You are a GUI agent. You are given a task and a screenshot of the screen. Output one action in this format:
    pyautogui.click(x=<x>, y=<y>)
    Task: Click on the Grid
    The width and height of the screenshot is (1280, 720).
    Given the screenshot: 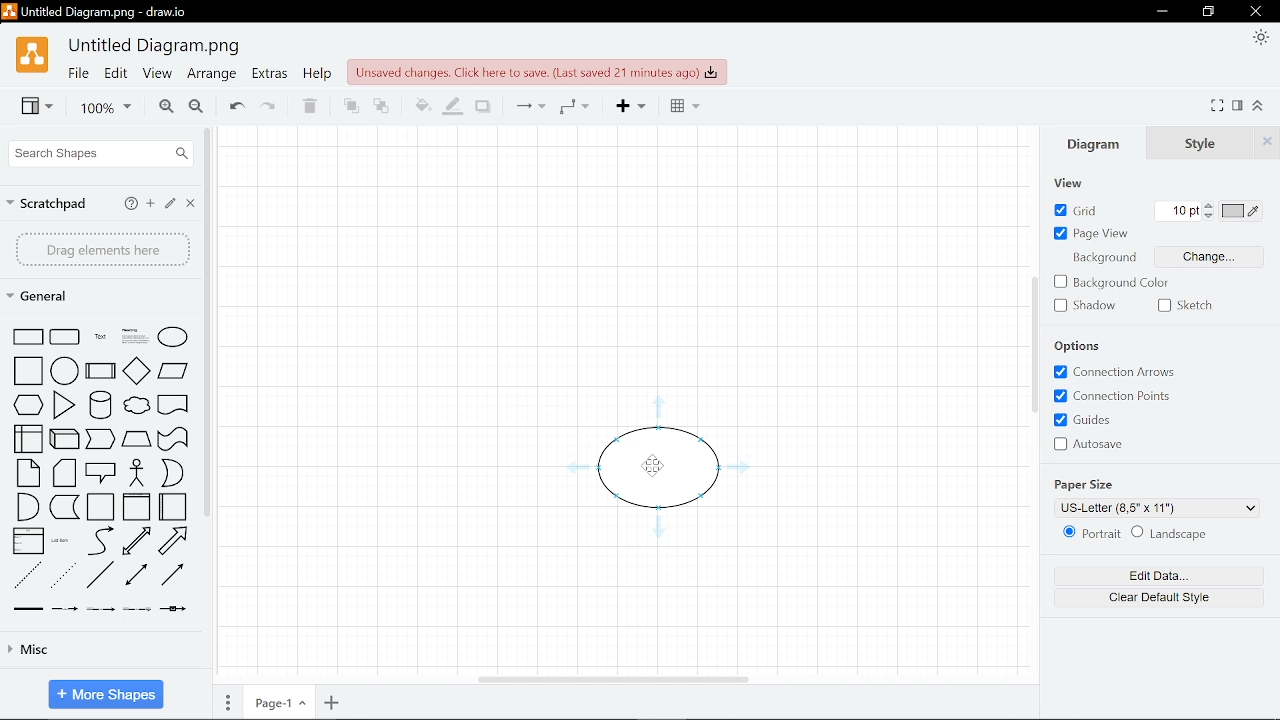 What is the action you would take?
    pyautogui.click(x=1073, y=209)
    